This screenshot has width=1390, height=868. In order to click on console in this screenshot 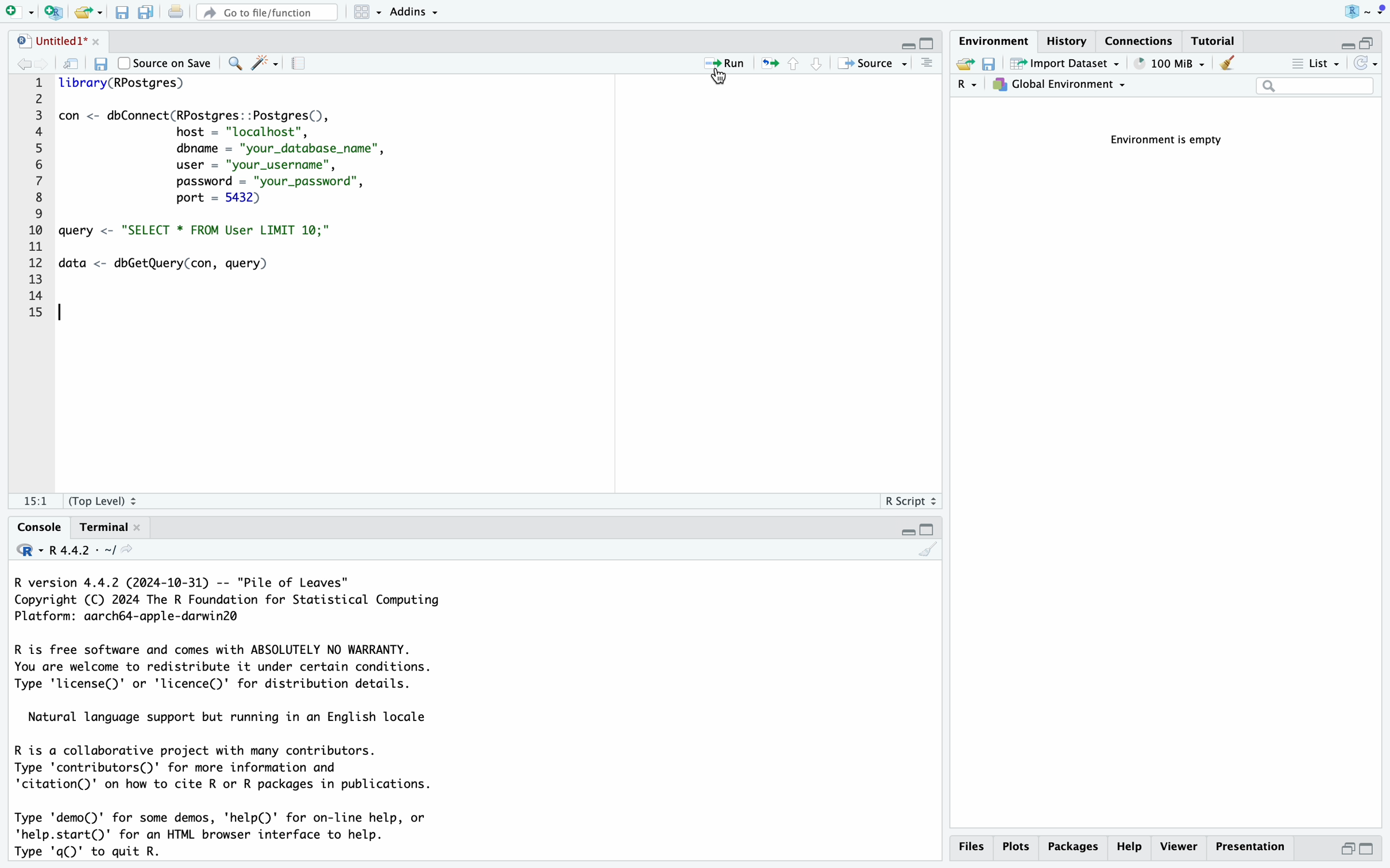, I will do `click(927, 64)`.